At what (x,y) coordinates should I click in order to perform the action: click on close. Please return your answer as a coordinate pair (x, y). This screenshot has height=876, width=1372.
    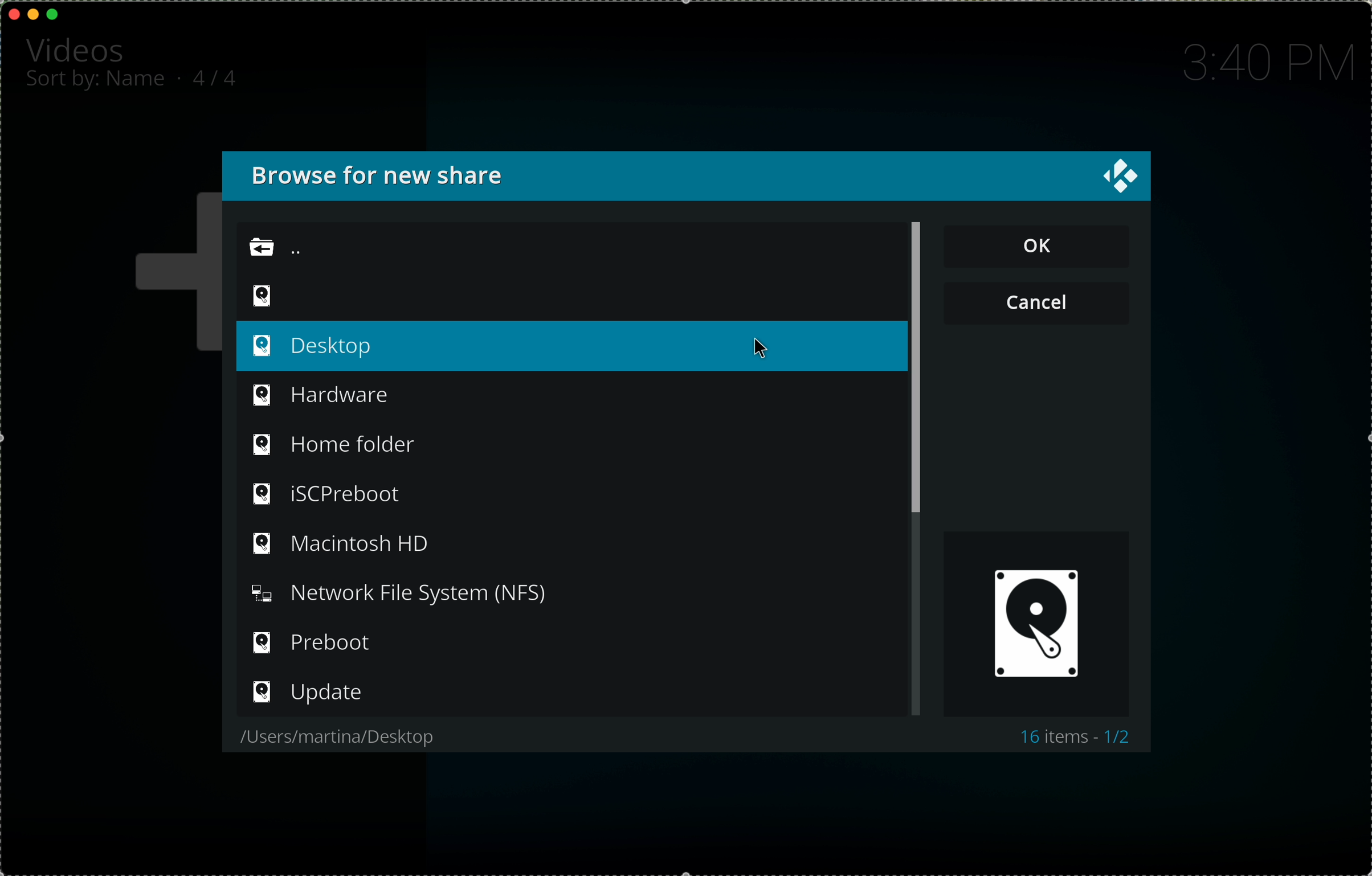
    Looking at the image, I should click on (15, 14).